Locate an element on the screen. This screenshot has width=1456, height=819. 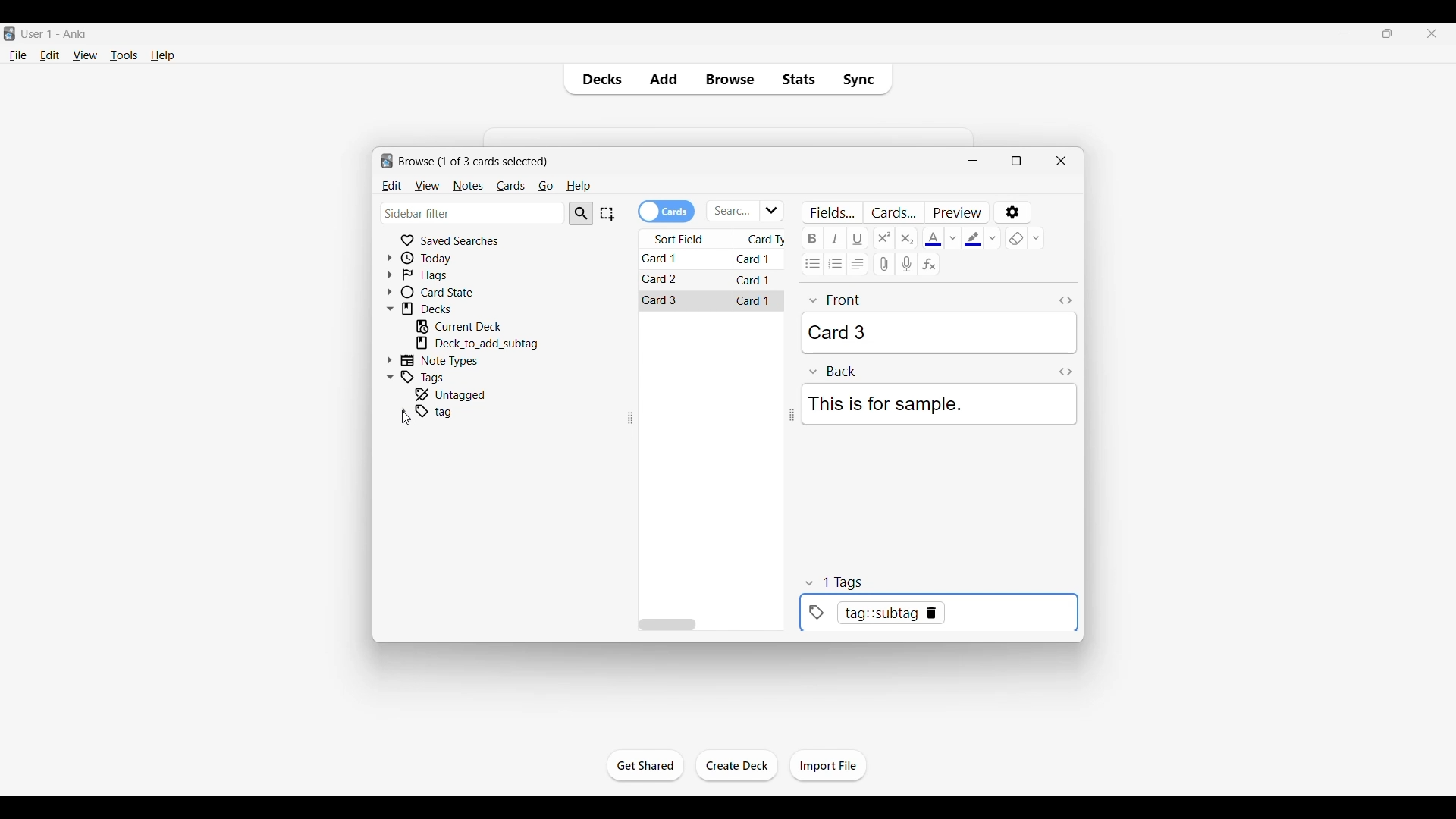
Notes menu is located at coordinates (468, 187).